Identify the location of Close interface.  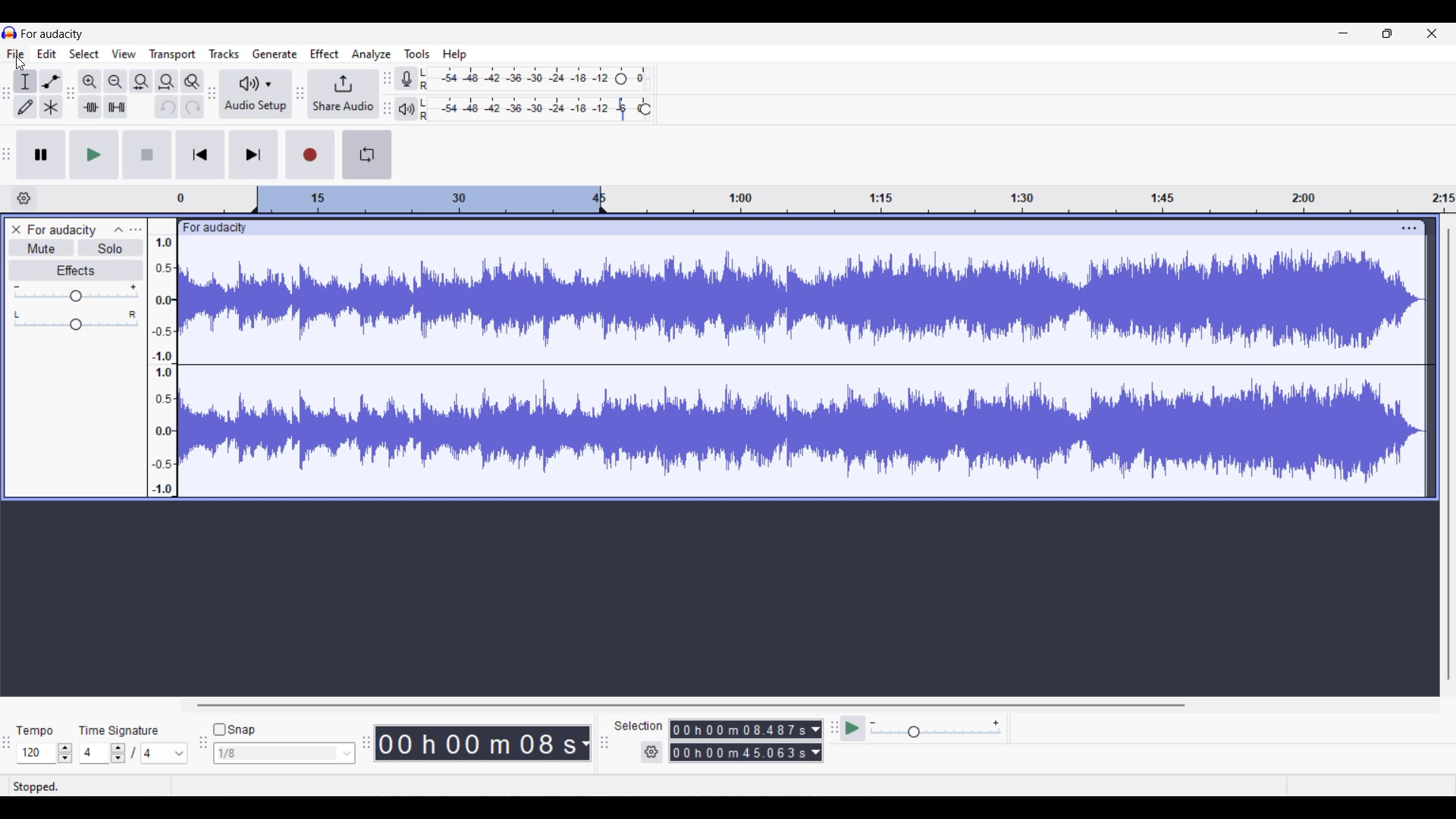
(1432, 33).